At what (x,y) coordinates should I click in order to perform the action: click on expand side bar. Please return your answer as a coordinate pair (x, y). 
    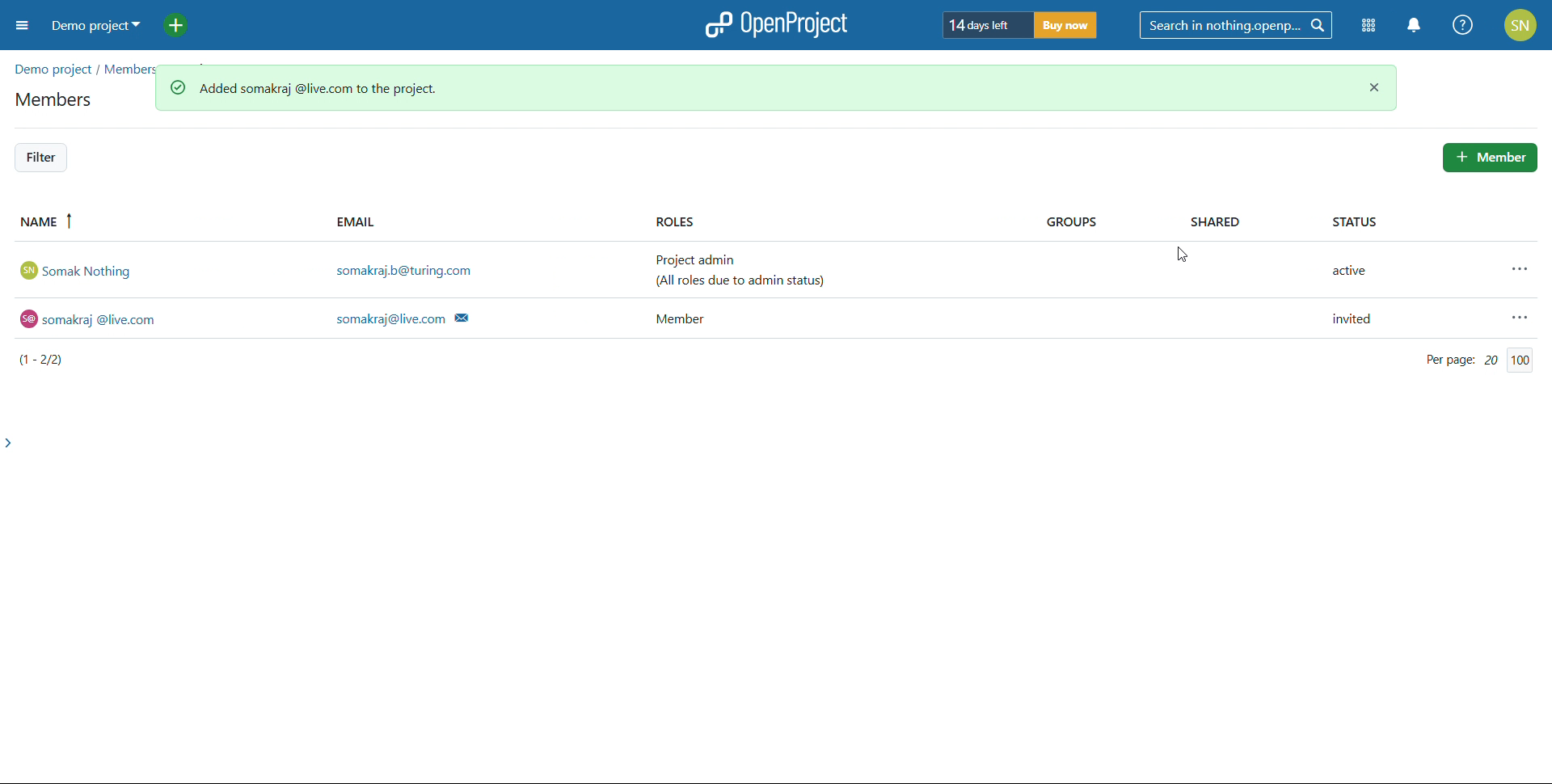
    Looking at the image, I should click on (16, 443).